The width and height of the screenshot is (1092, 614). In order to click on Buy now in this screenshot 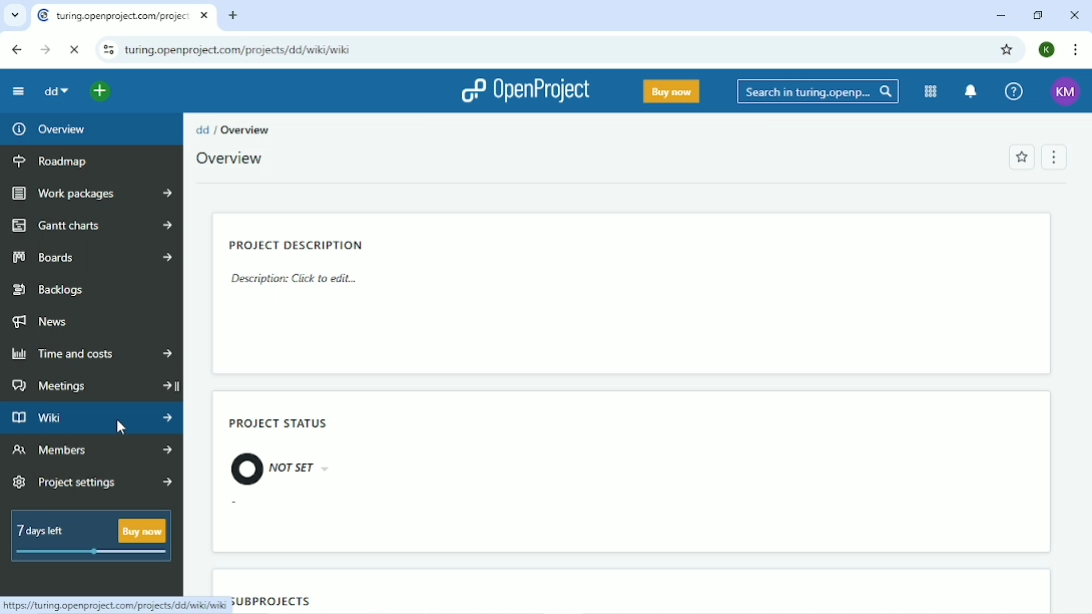, I will do `click(670, 91)`.